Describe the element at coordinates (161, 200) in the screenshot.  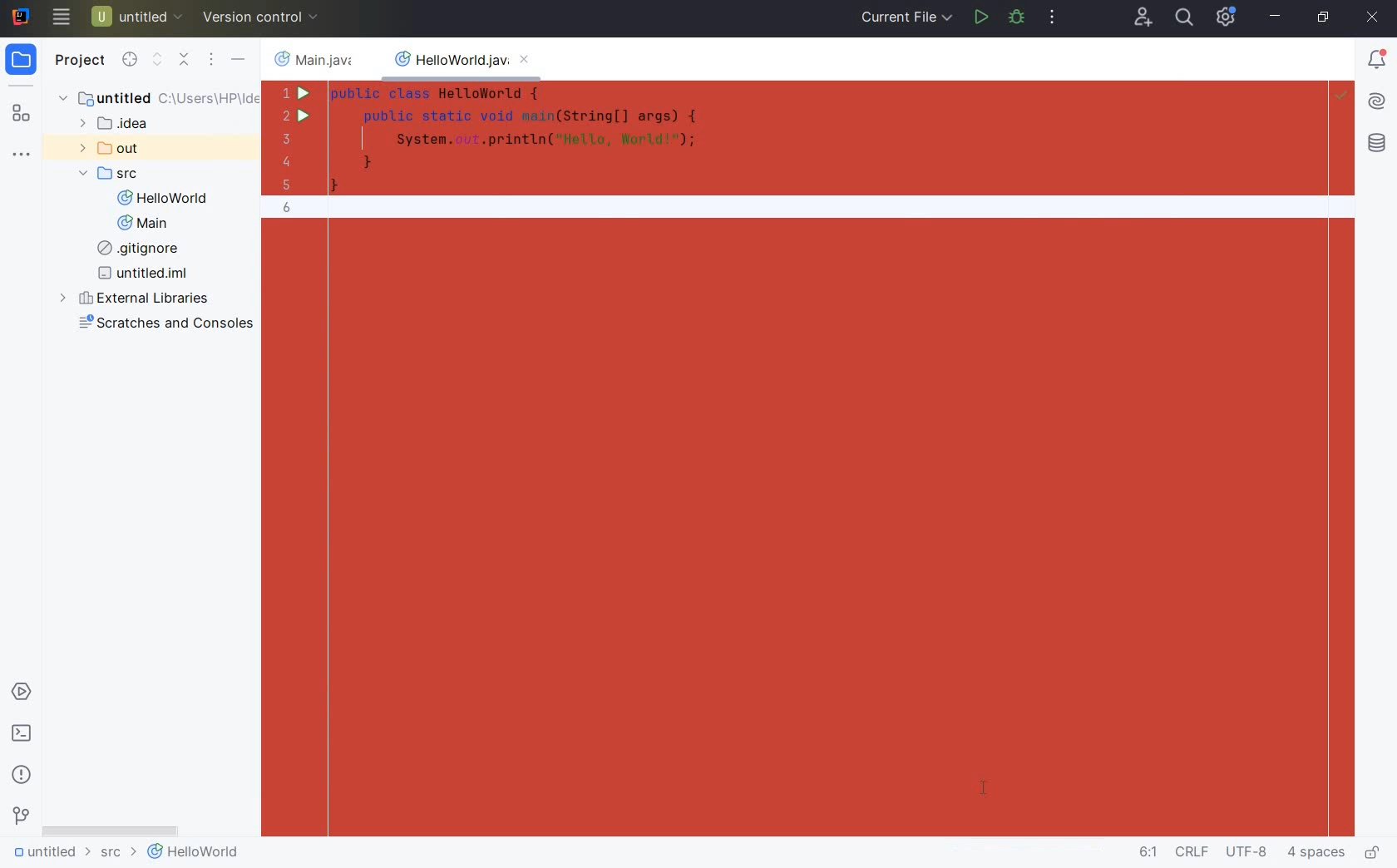
I see `HelloWorld` at that location.